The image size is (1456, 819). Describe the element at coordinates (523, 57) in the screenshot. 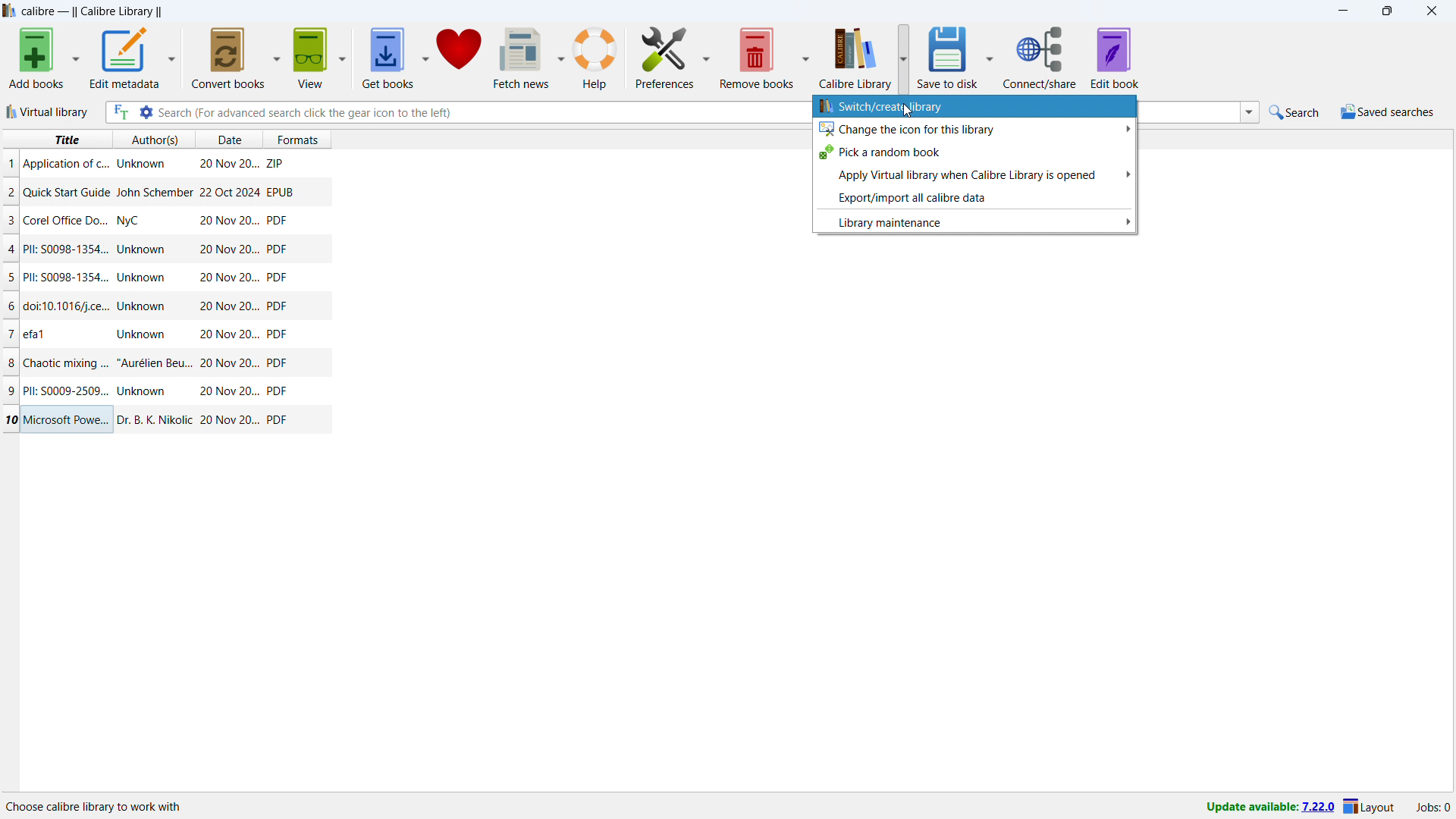

I see `fetch news` at that location.